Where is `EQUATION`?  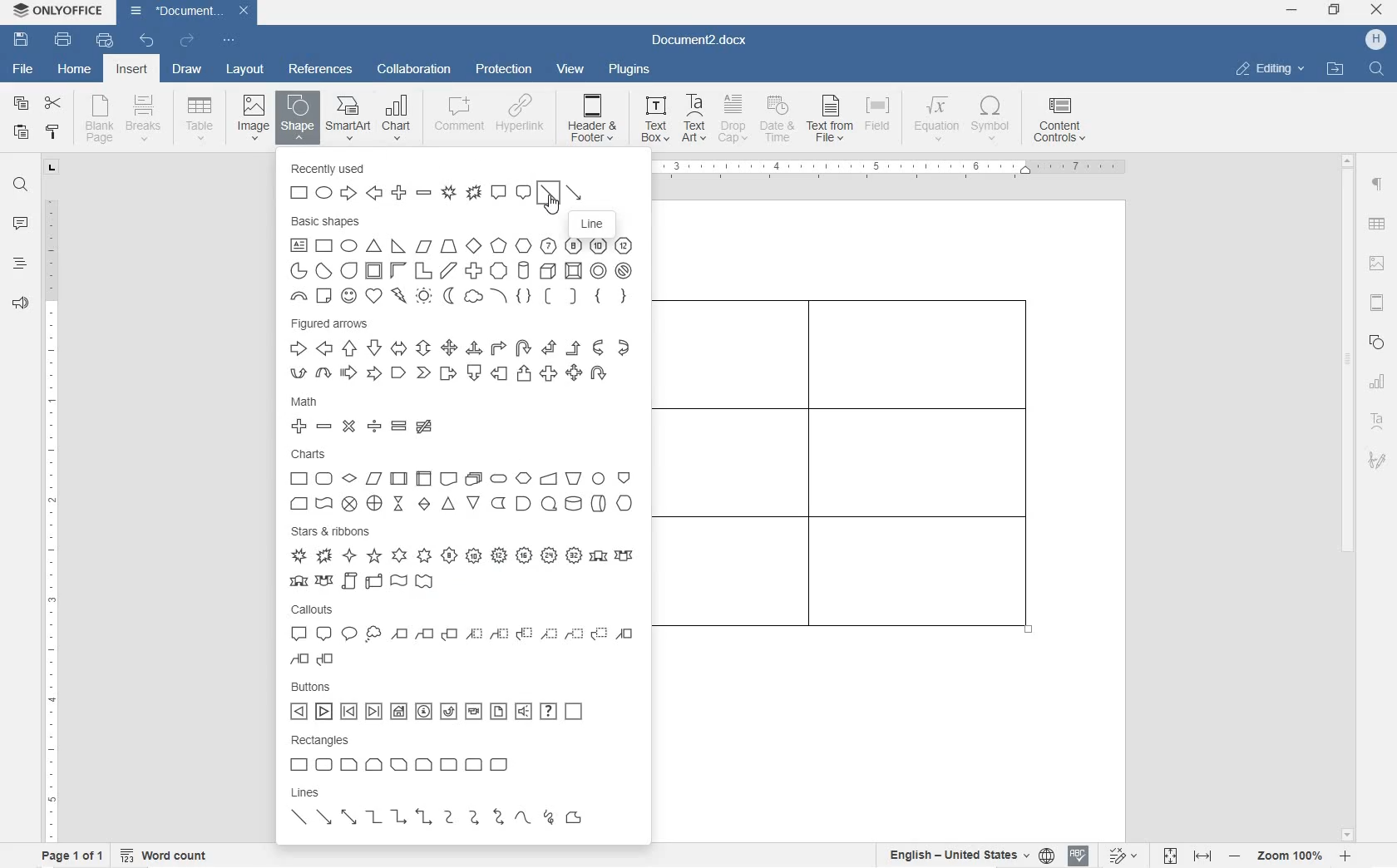
EQUATION is located at coordinates (937, 119).